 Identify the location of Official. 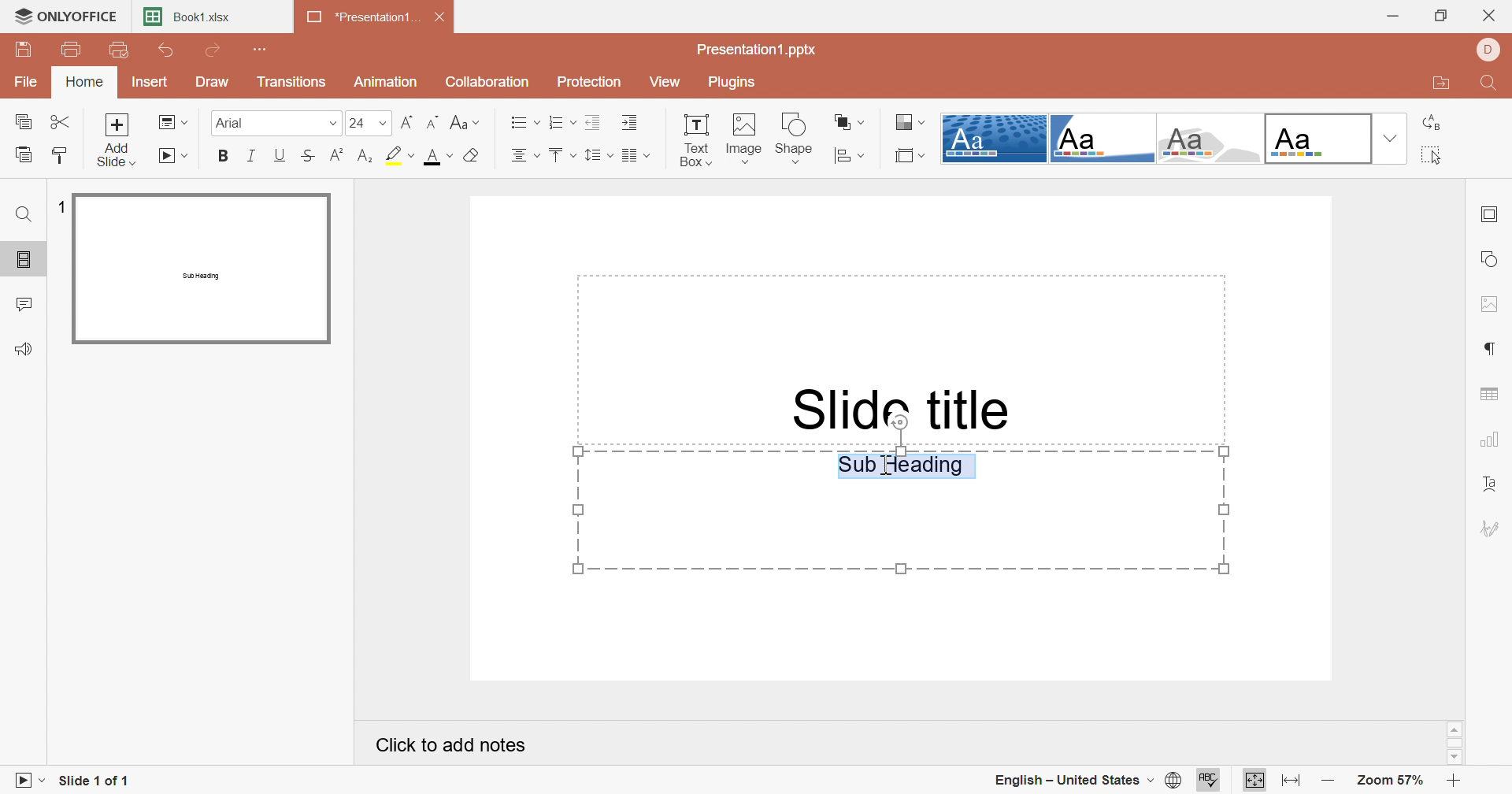
(1317, 137).